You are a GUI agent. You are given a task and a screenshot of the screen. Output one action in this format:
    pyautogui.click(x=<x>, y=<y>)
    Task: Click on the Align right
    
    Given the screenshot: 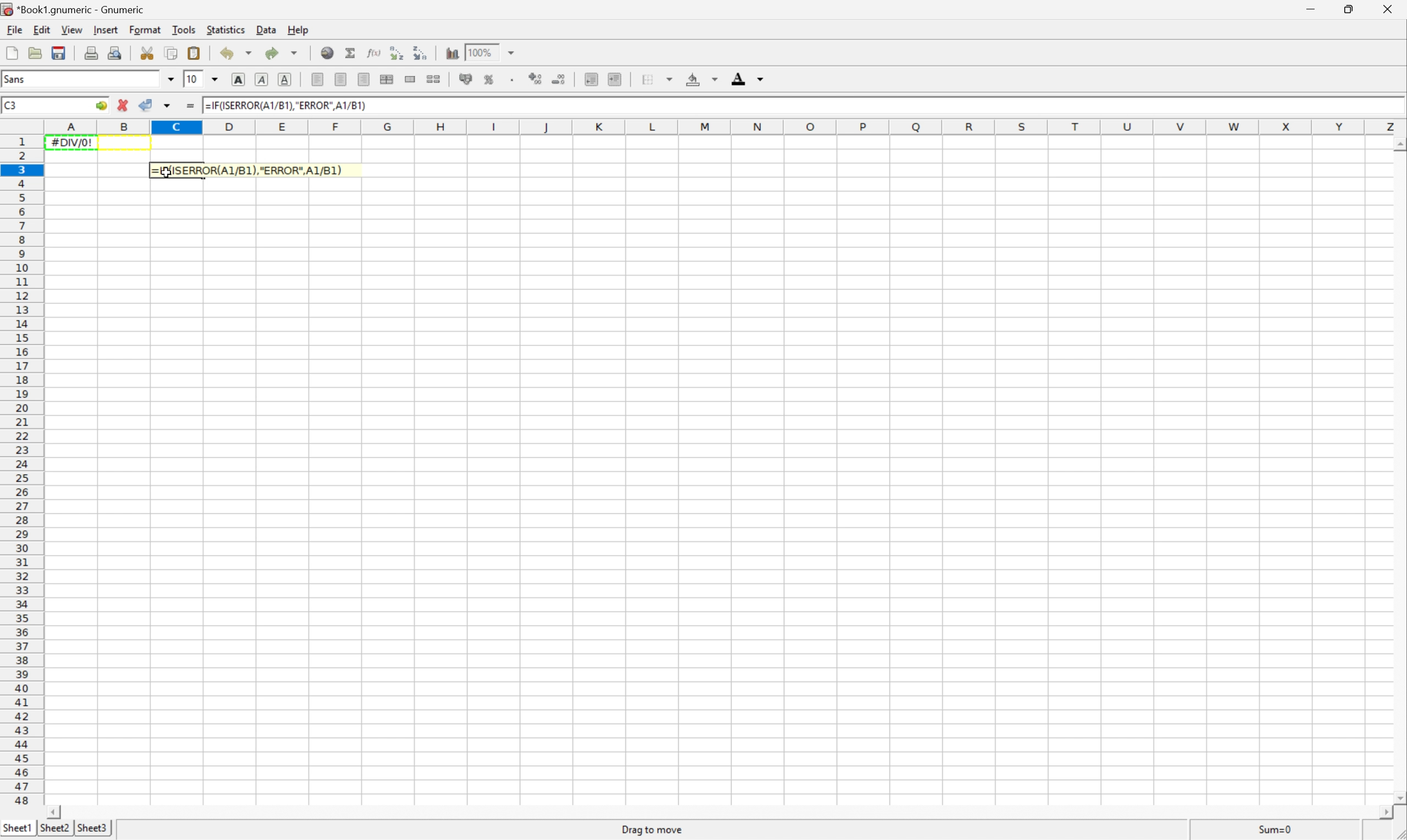 What is the action you would take?
    pyautogui.click(x=366, y=79)
    